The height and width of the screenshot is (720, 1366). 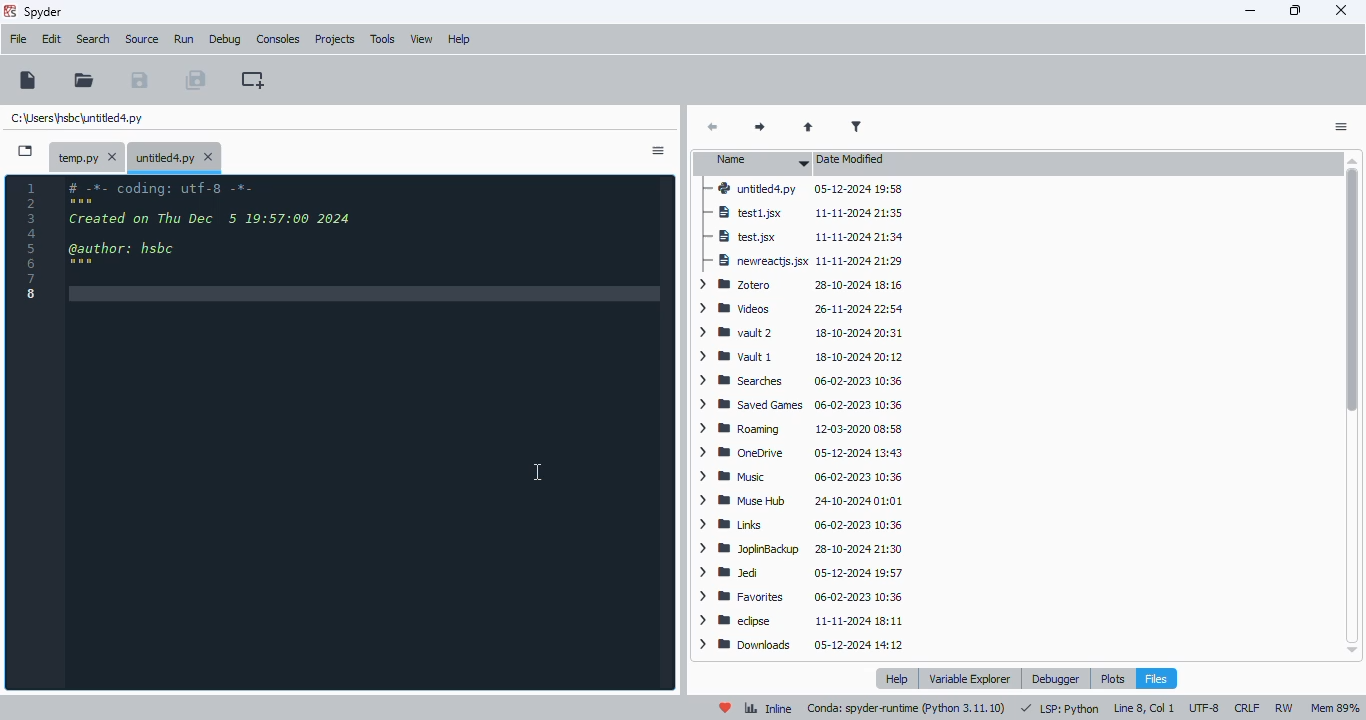 I want to click on save file, so click(x=139, y=79).